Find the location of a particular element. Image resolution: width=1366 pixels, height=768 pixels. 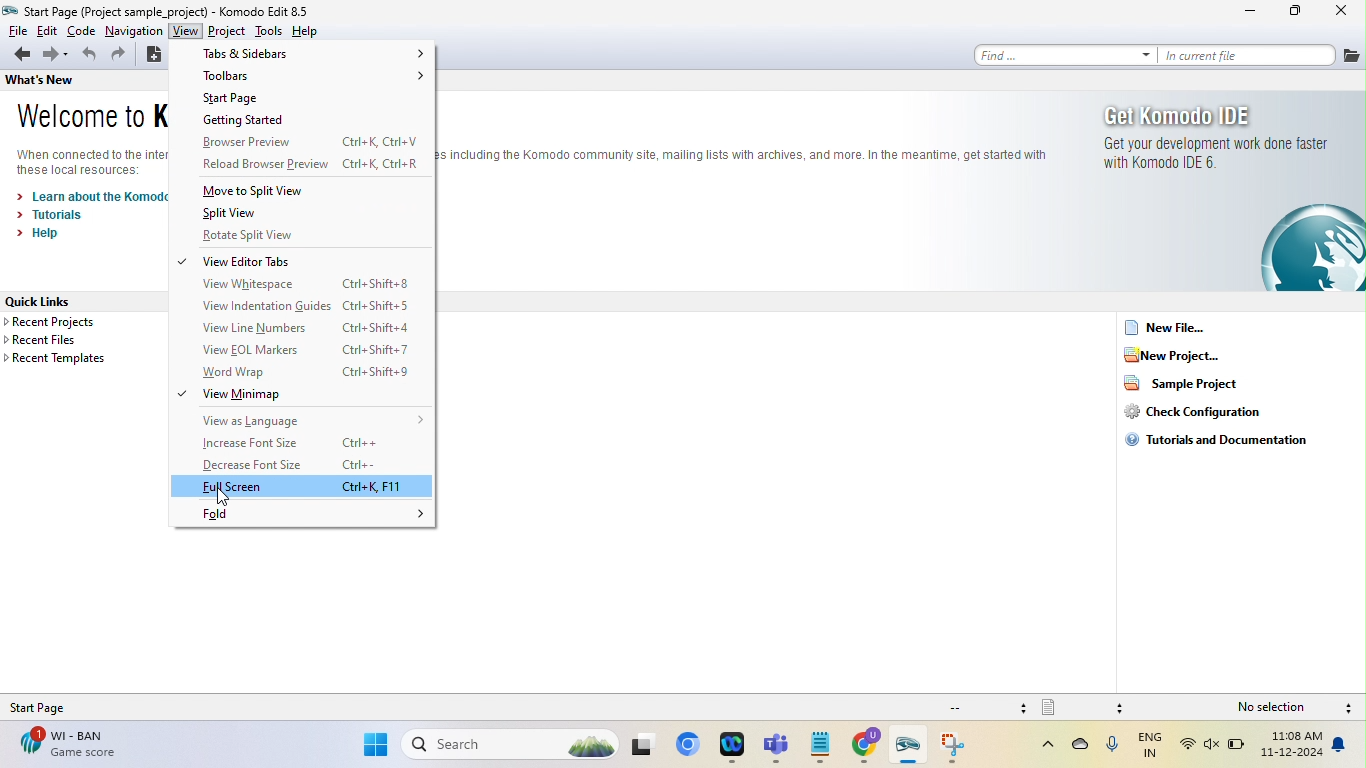

get your development work done faster with komodo ide 6 is located at coordinates (1211, 161).